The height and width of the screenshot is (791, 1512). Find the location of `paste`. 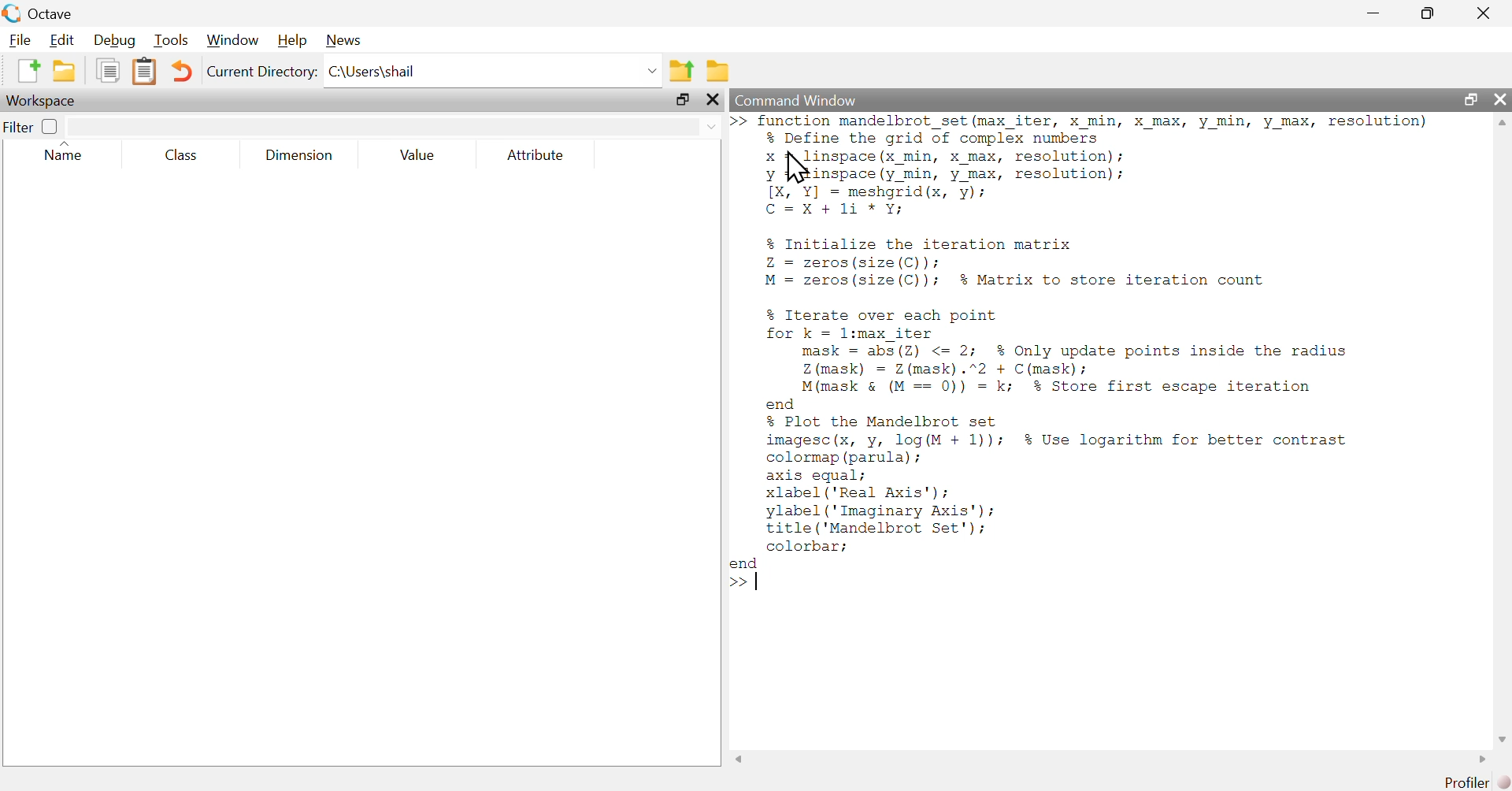

paste is located at coordinates (146, 70).